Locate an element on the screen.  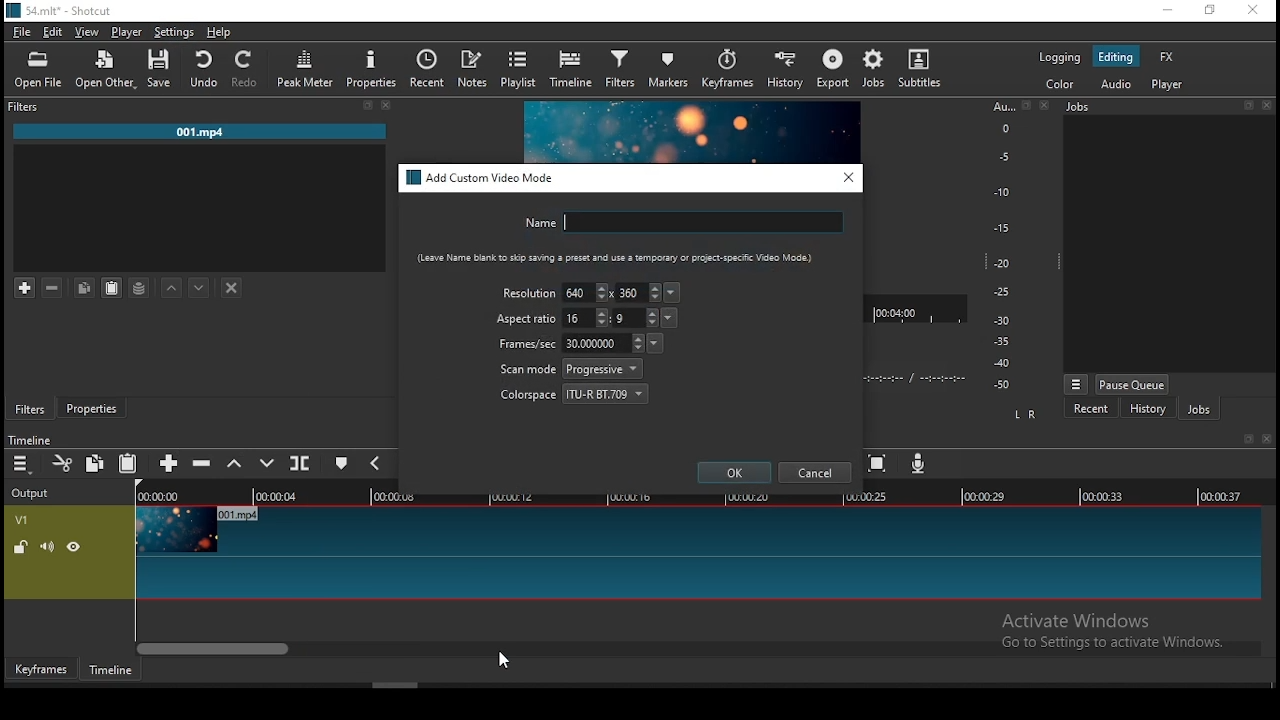
-25 is located at coordinates (1002, 293).